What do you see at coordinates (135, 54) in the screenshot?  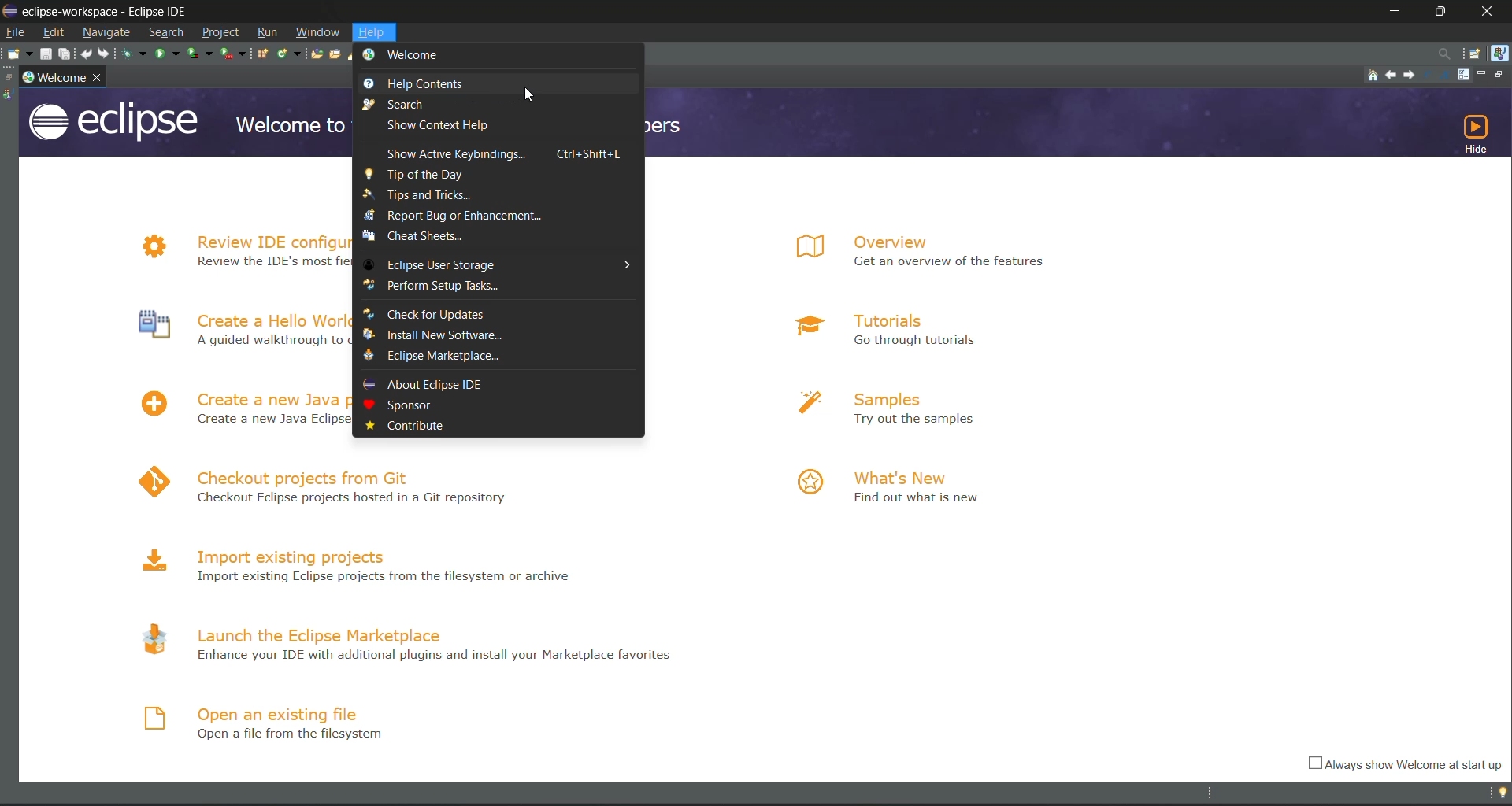 I see `debug` at bounding box center [135, 54].